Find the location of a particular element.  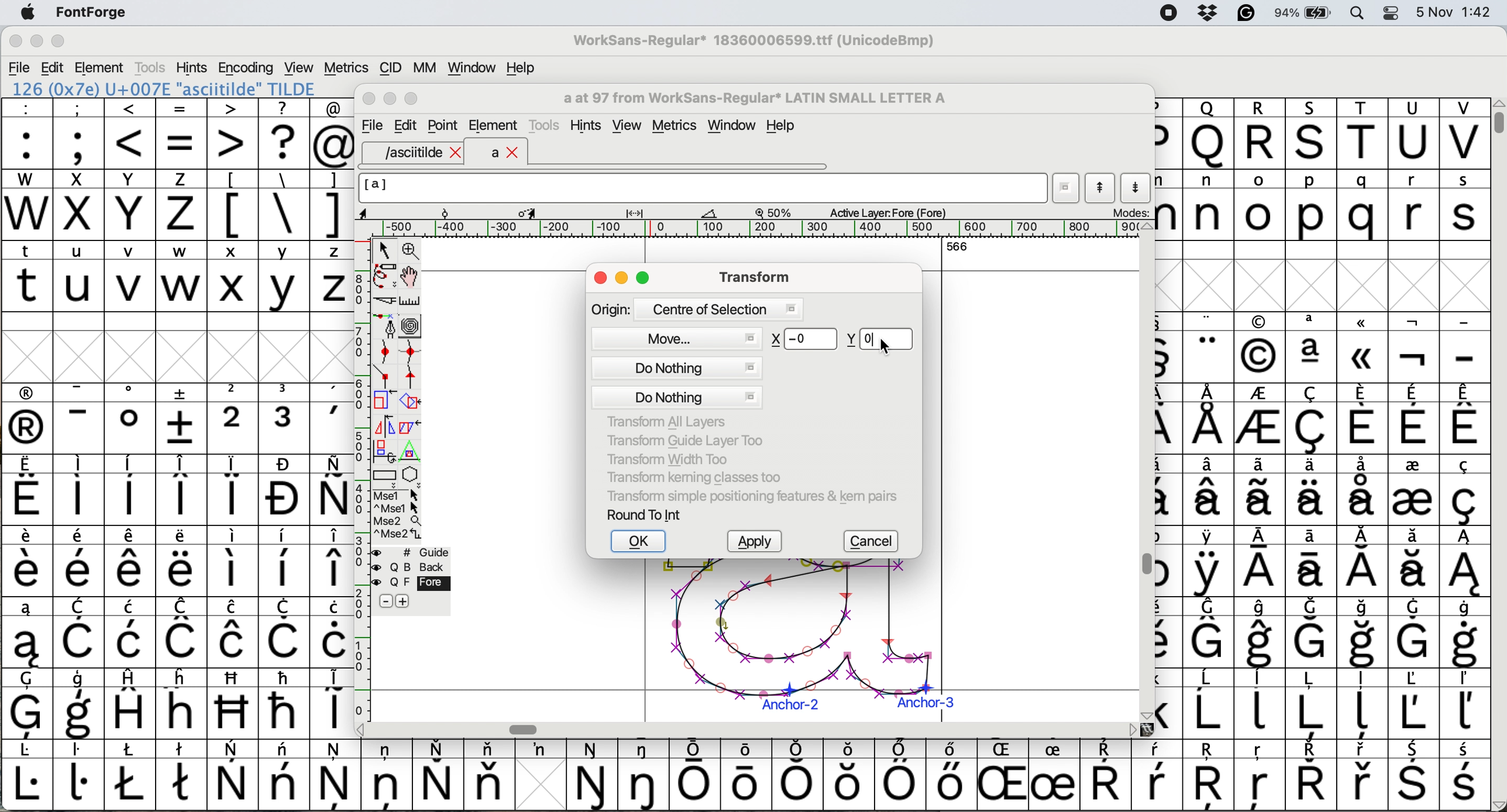

symbol is located at coordinates (1261, 702).